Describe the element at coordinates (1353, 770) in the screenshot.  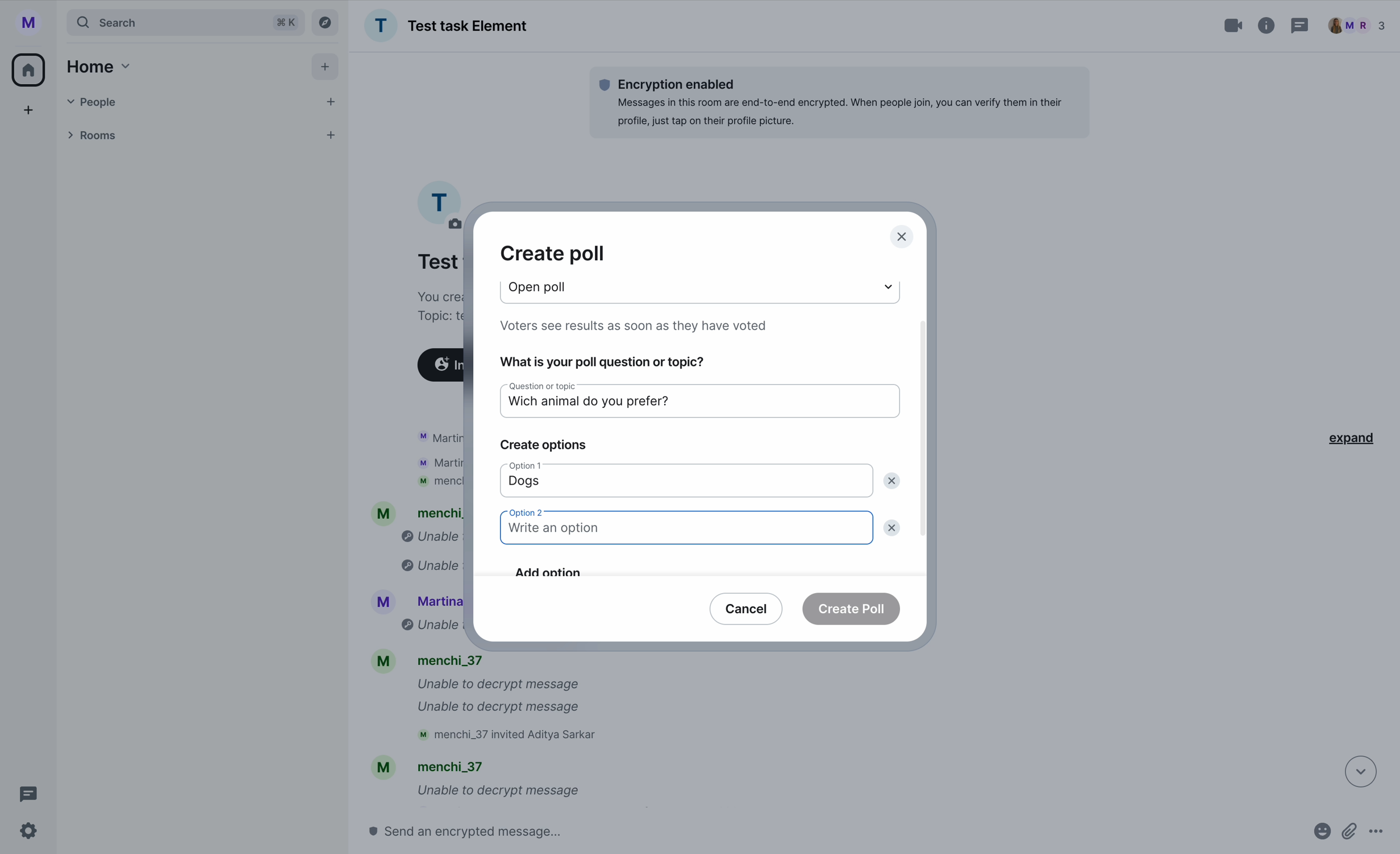
I see `down arrow` at that location.